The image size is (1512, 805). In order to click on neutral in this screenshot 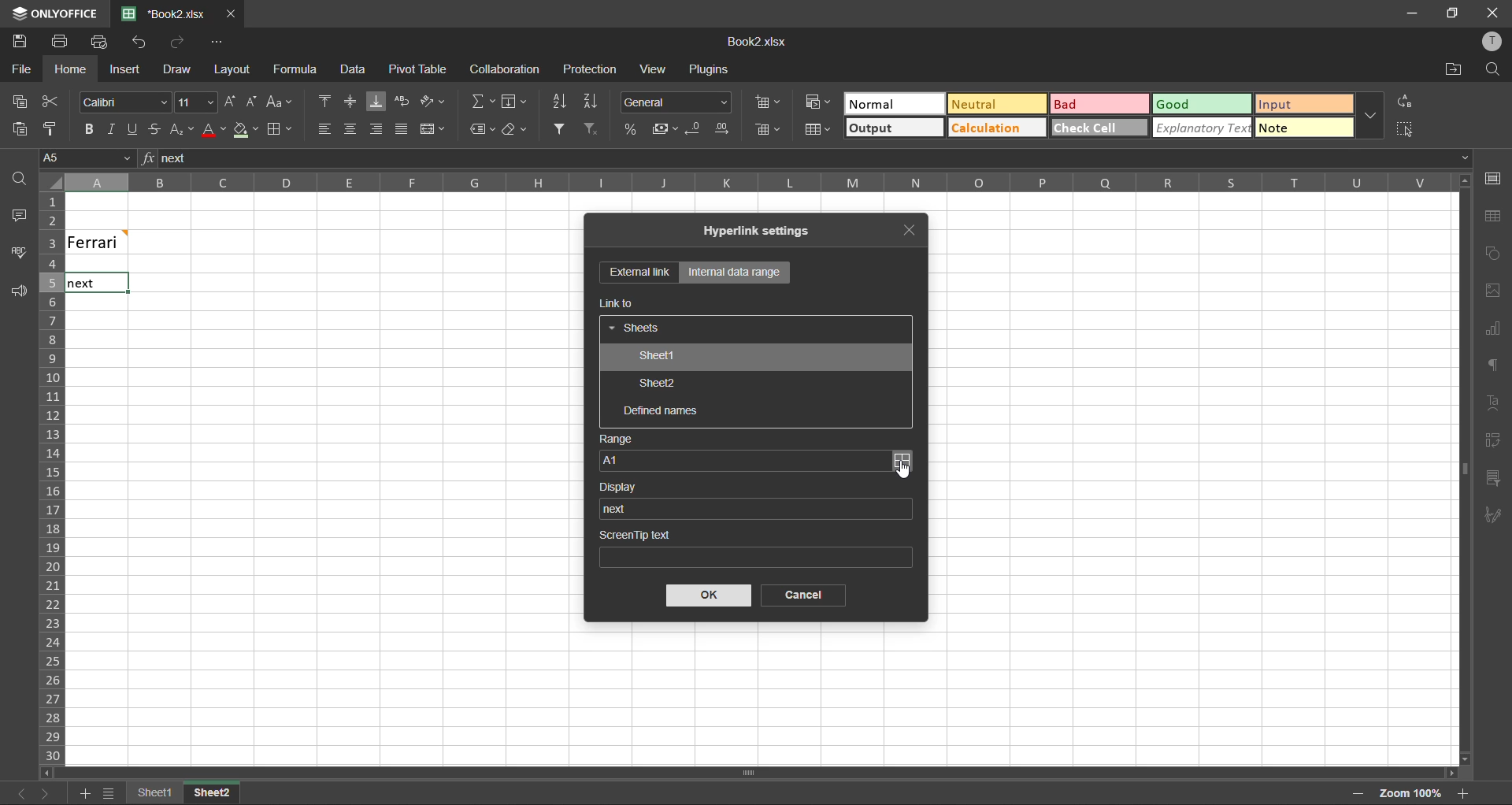, I will do `click(992, 106)`.